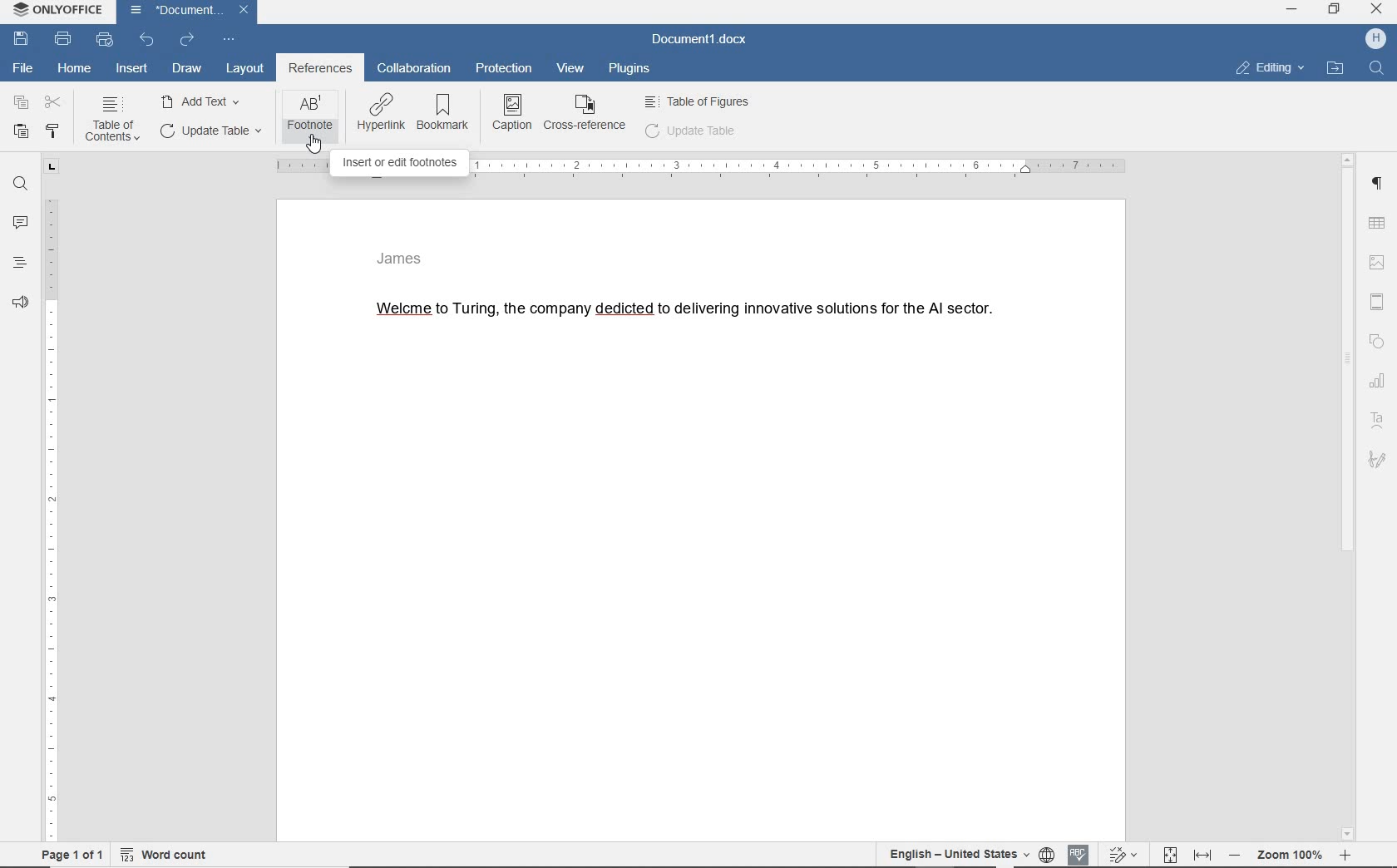 The height and width of the screenshot is (868, 1397). I want to click on fit to width, so click(1206, 856).